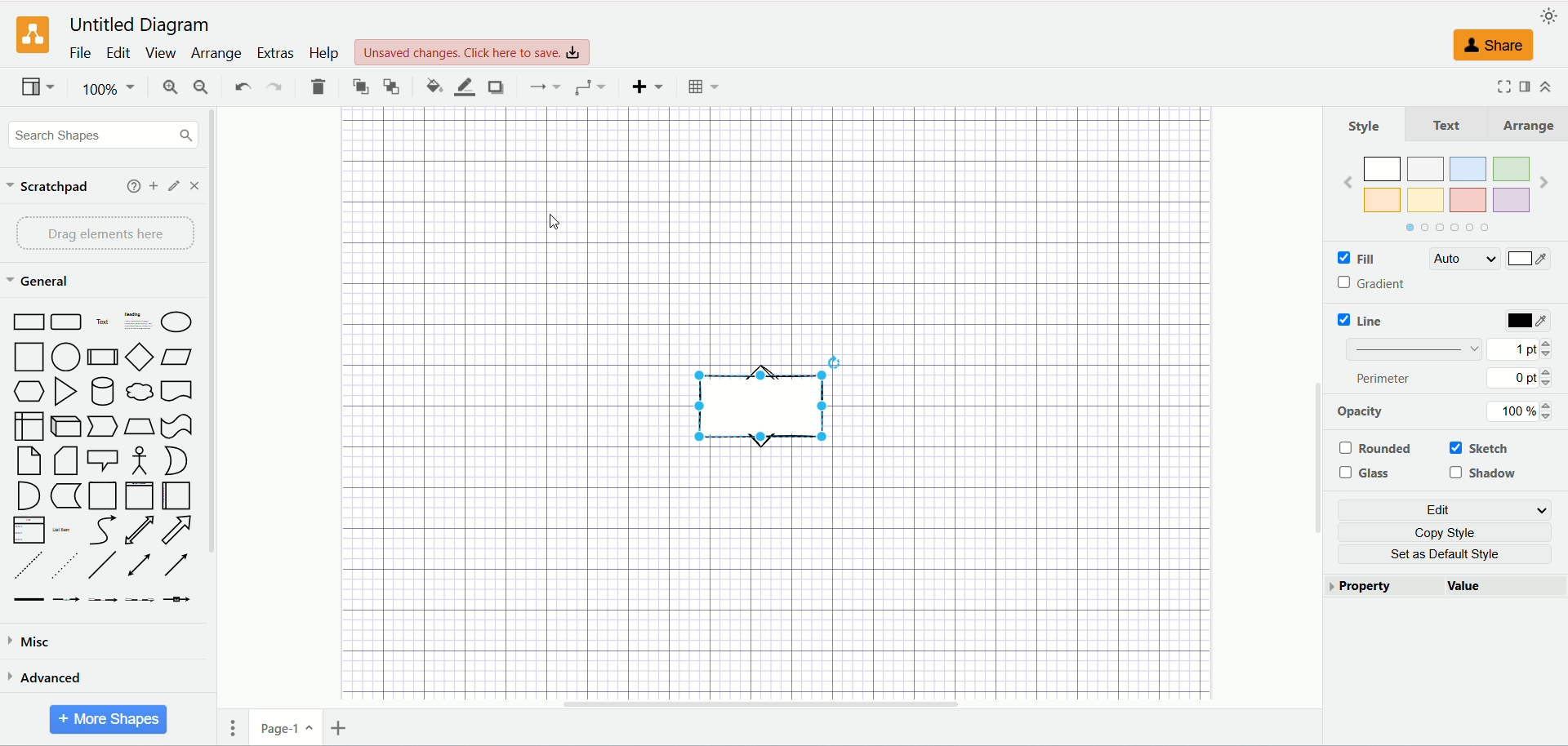 The image size is (1568, 746). What do you see at coordinates (241, 87) in the screenshot?
I see `undo` at bounding box center [241, 87].